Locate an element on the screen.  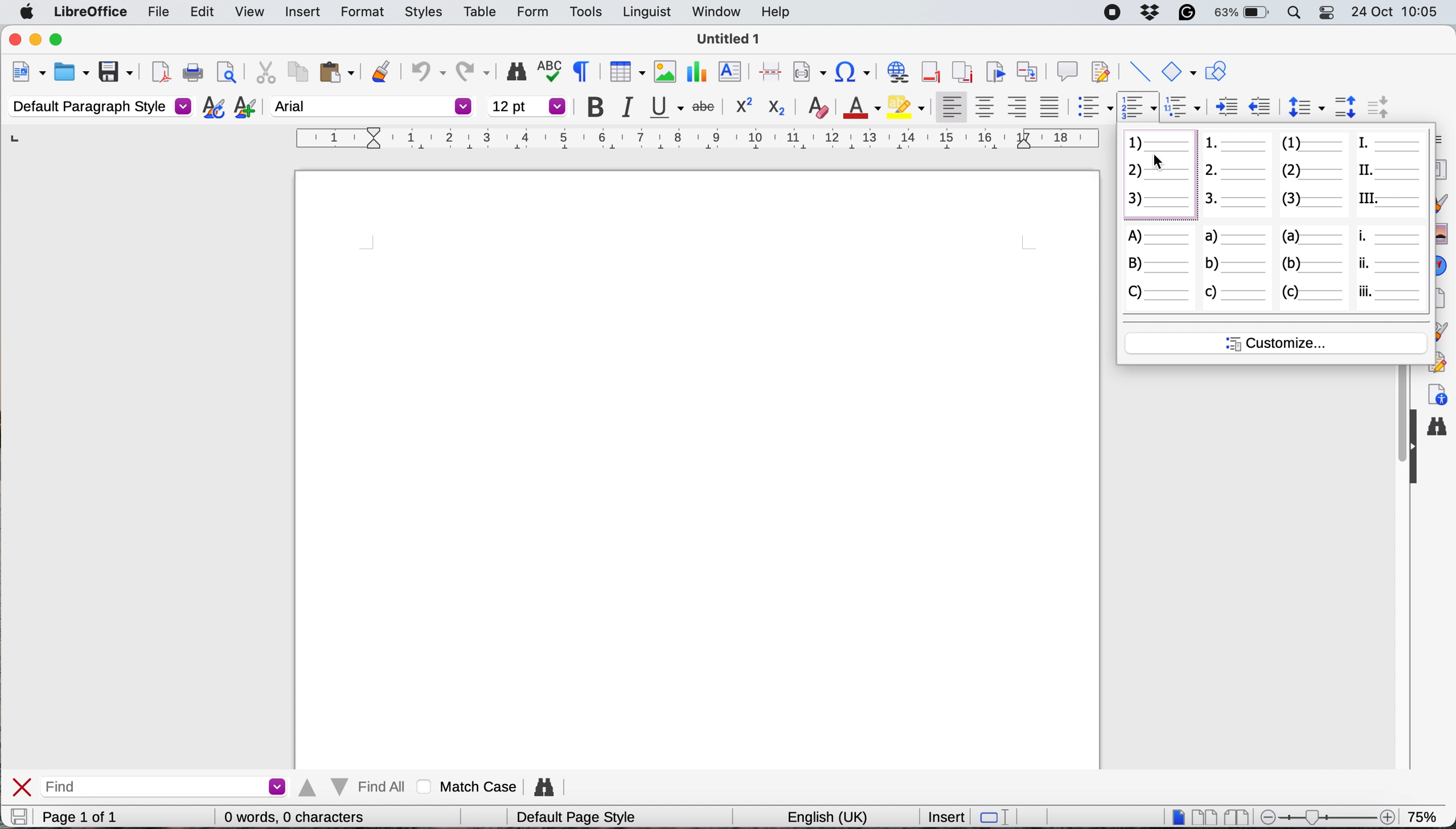
basic shapes is located at coordinates (1178, 71).